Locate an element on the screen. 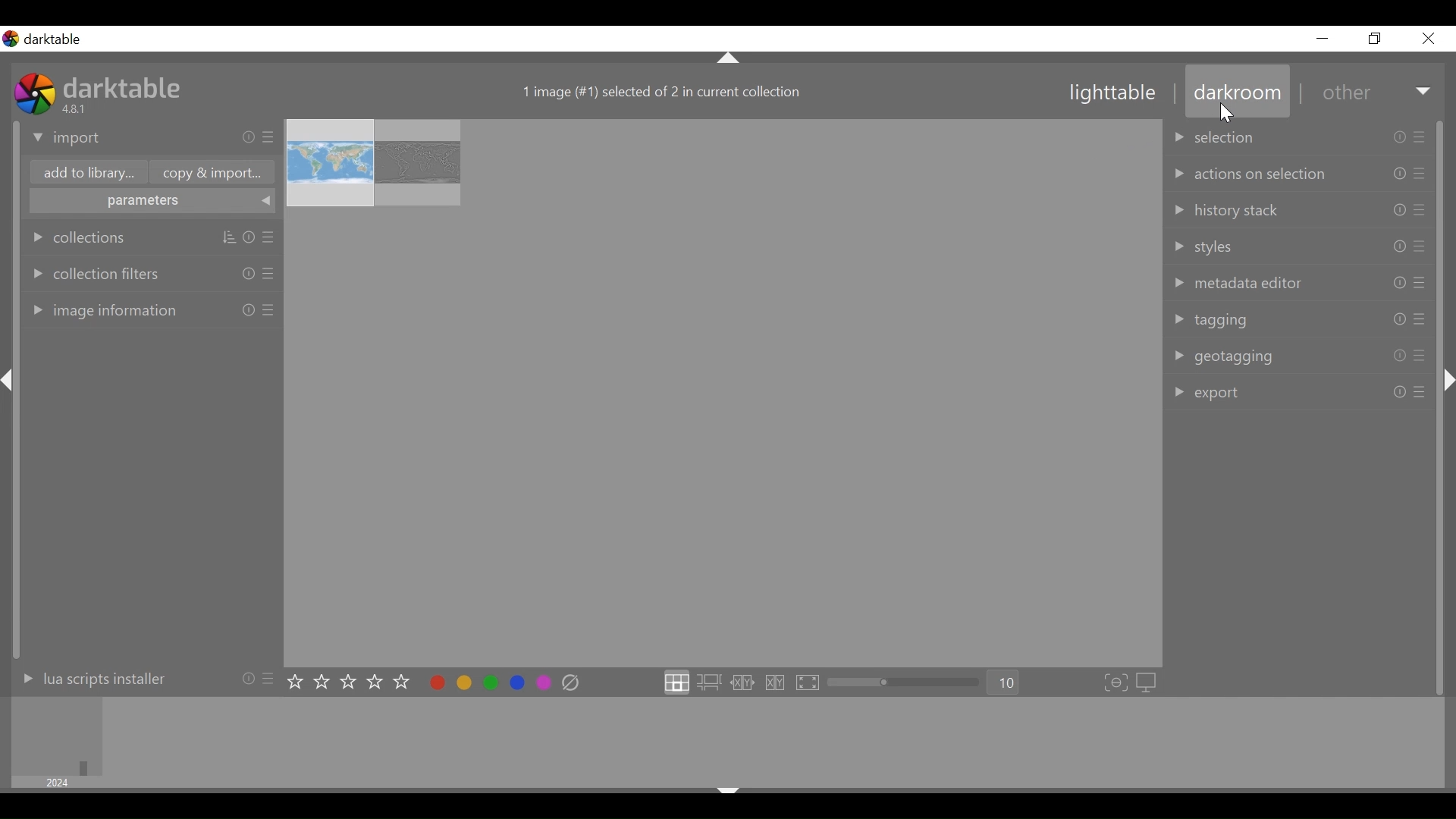 This screenshot has height=819, width=1456. parameters is located at coordinates (149, 202).